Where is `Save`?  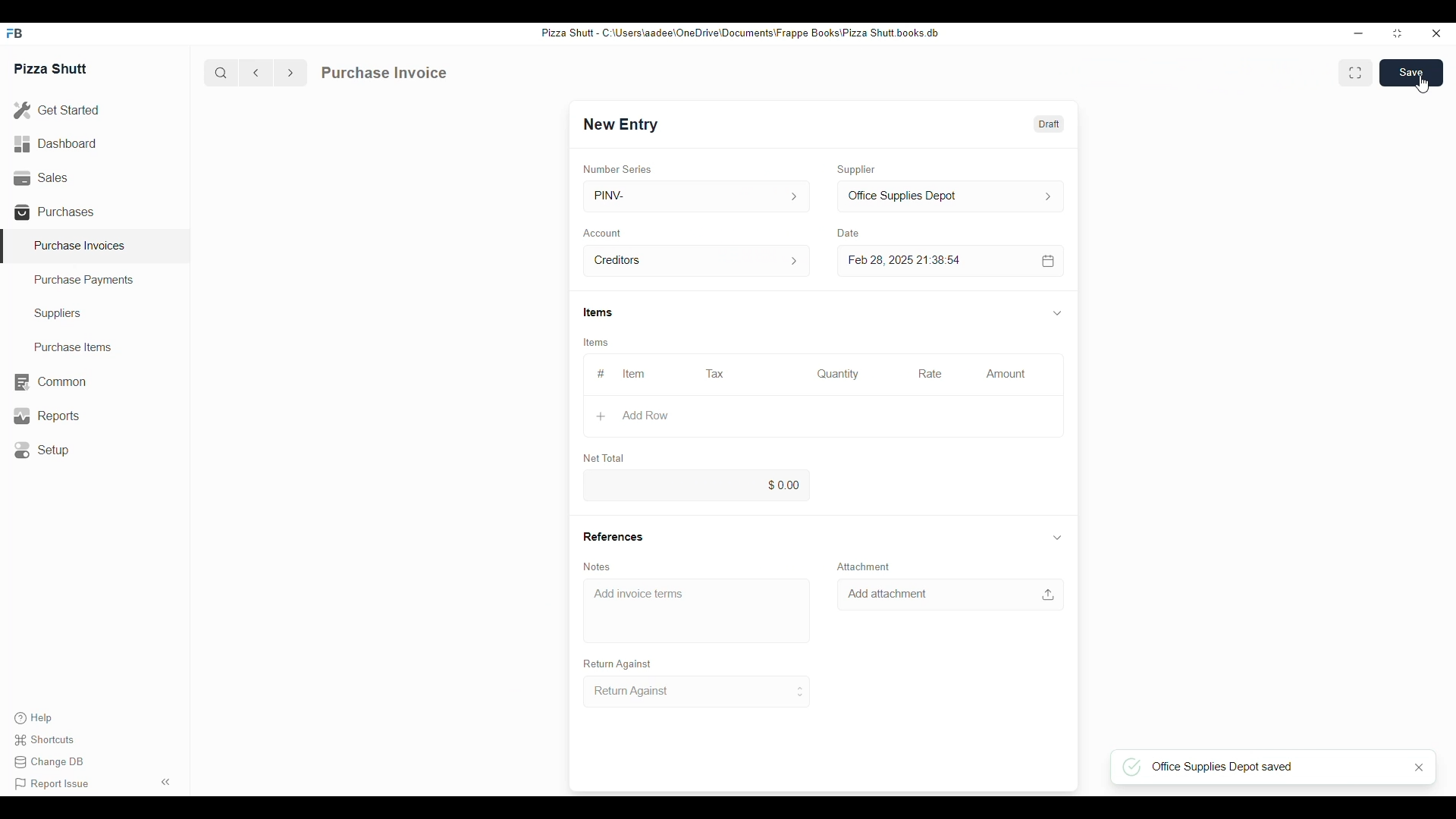
Save is located at coordinates (1414, 72).